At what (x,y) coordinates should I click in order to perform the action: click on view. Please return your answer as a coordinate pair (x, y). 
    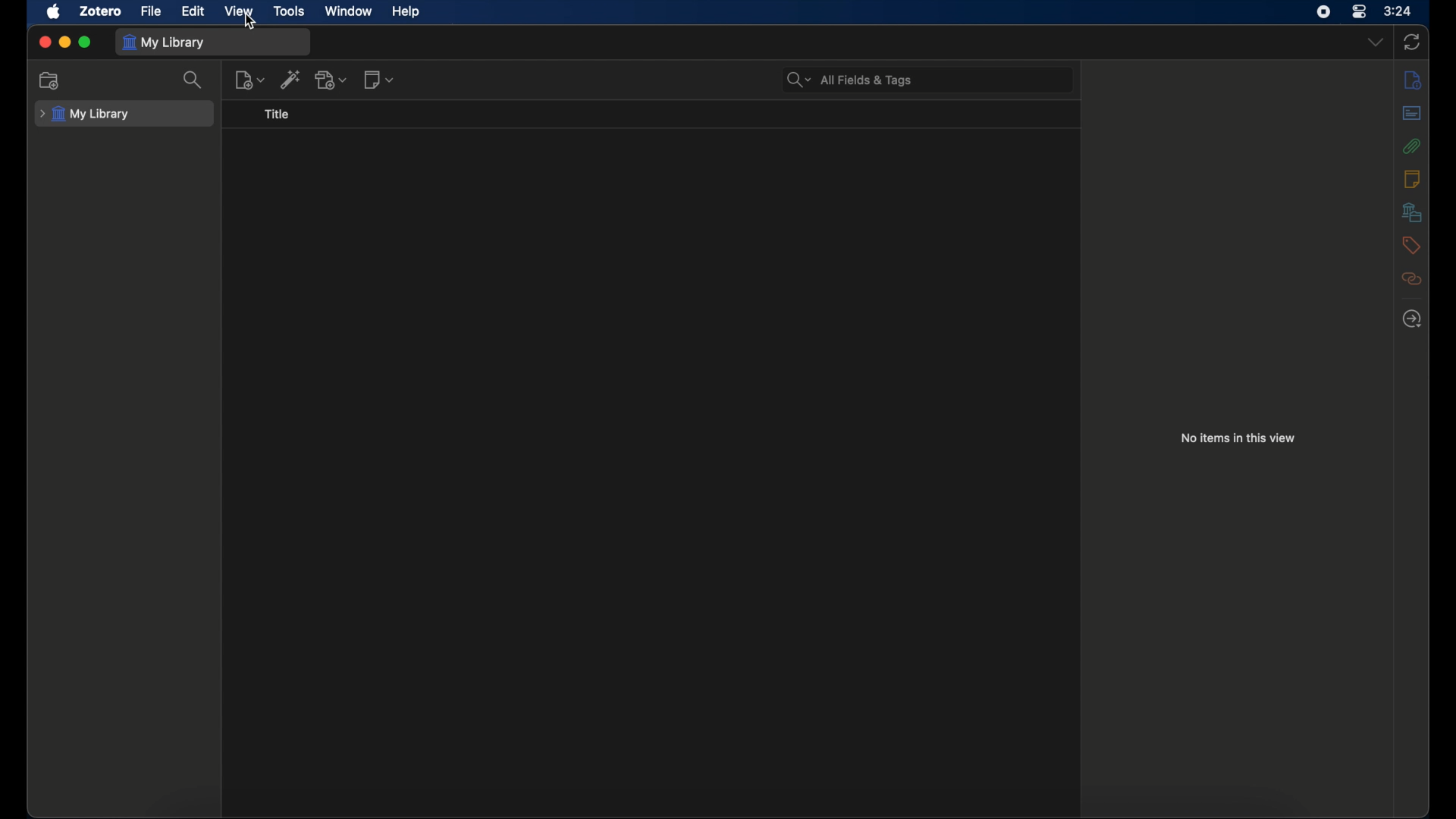
    Looking at the image, I should click on (240, 10).